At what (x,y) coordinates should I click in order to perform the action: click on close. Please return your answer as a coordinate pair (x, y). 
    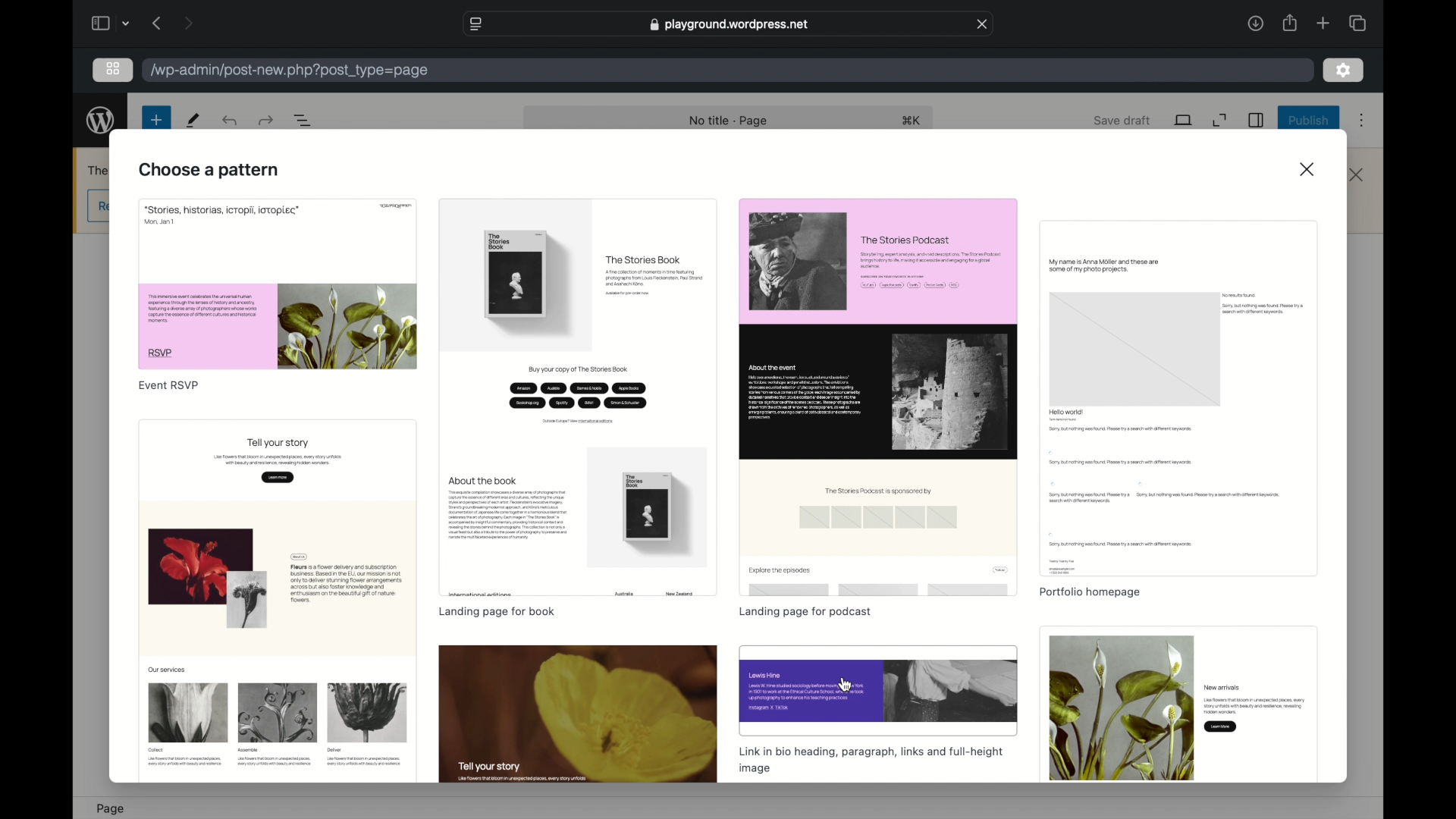
    Looking at the image, I should click on (1357, 174).